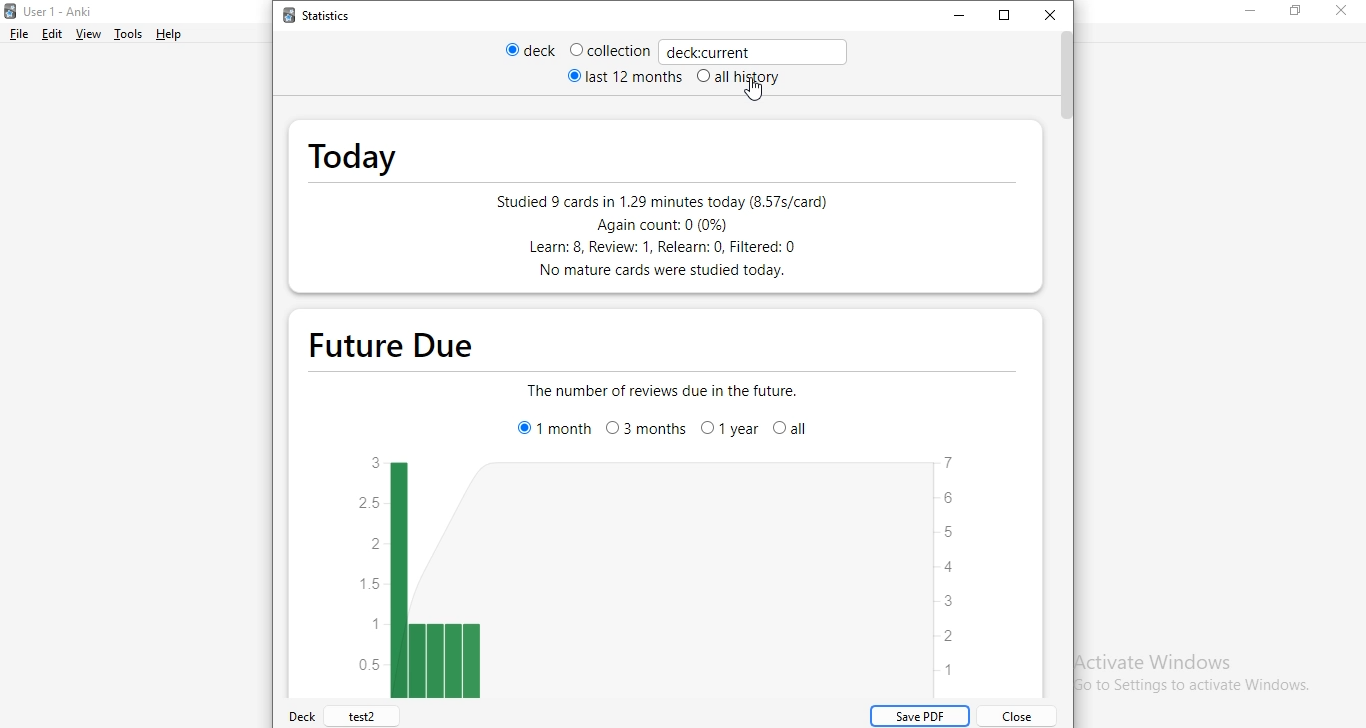  I want to click on study session stats, so click(659, 236).